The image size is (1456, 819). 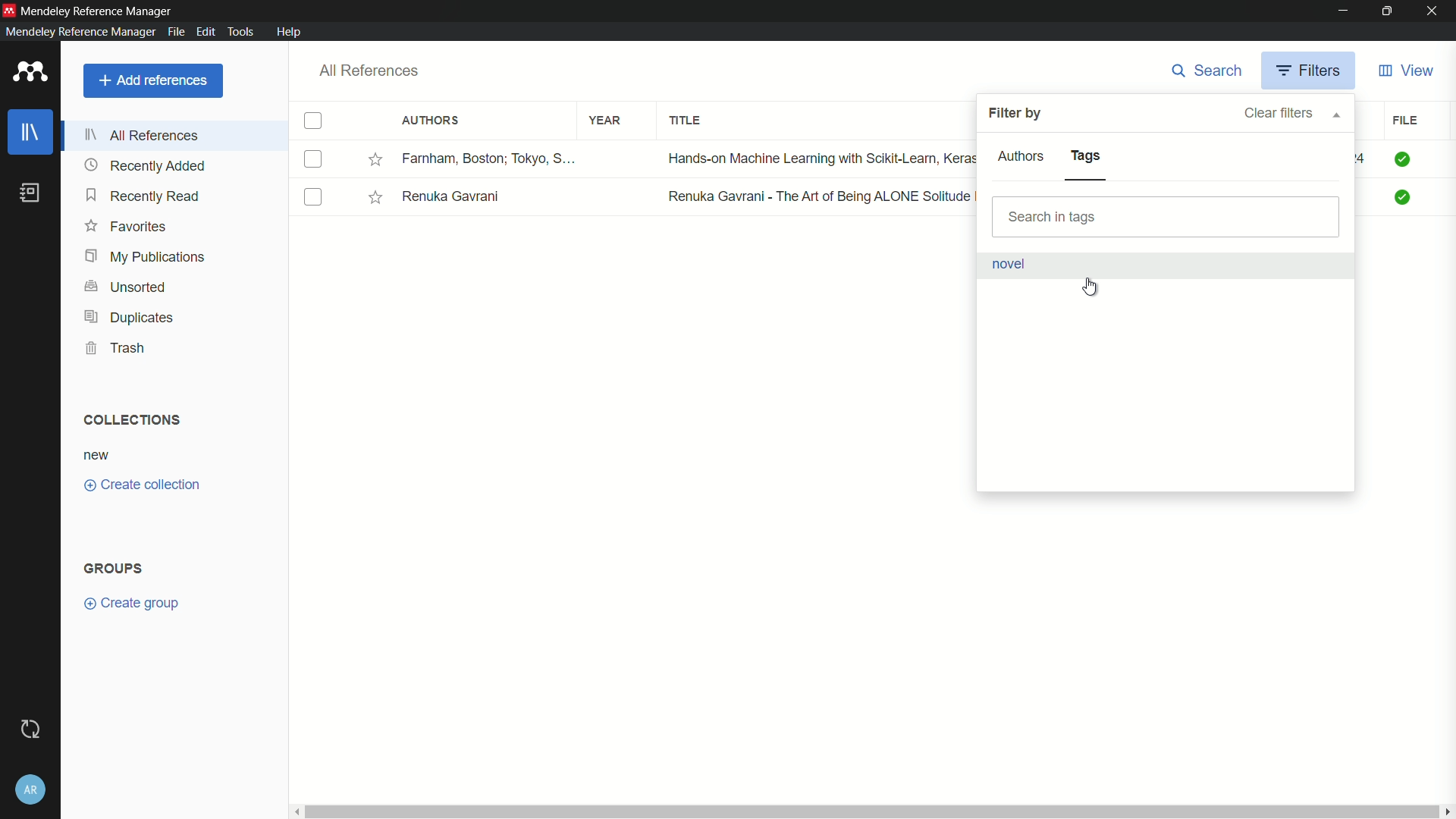 I want to click on my publications, so click(x=147, y=257).